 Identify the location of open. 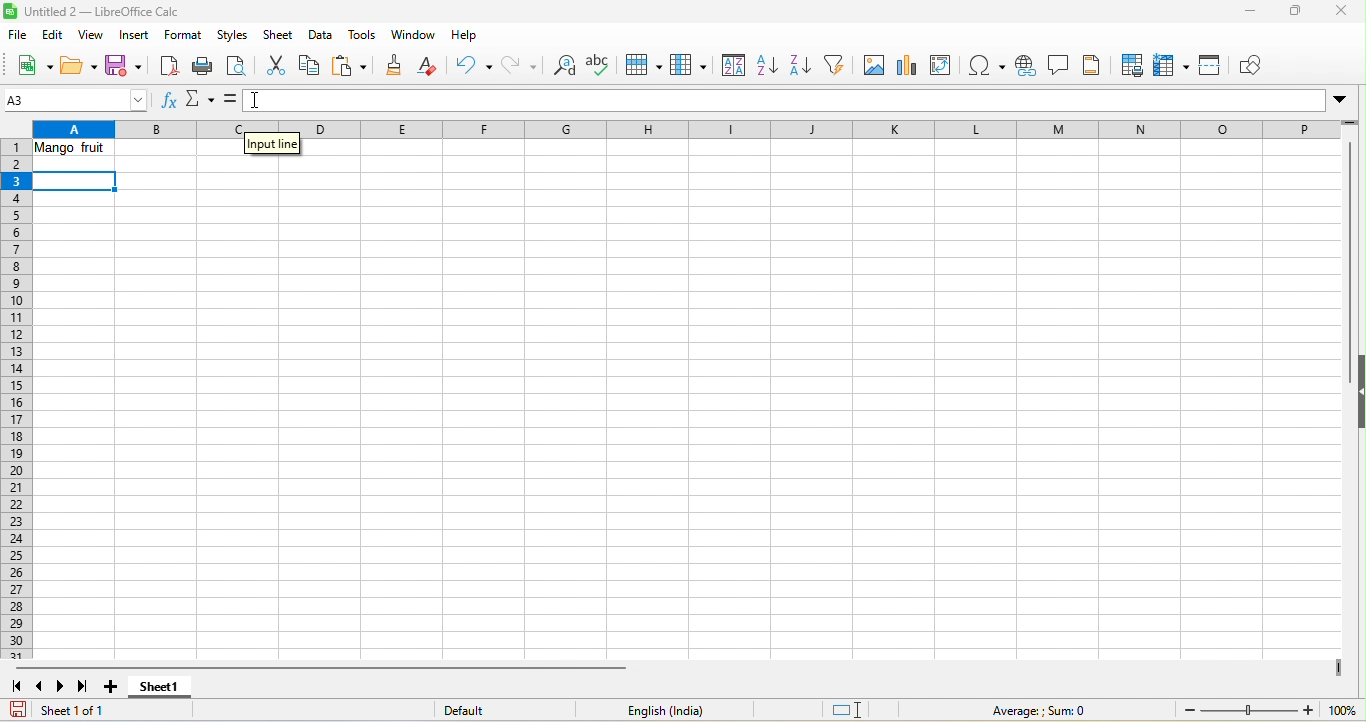
(77, 65).